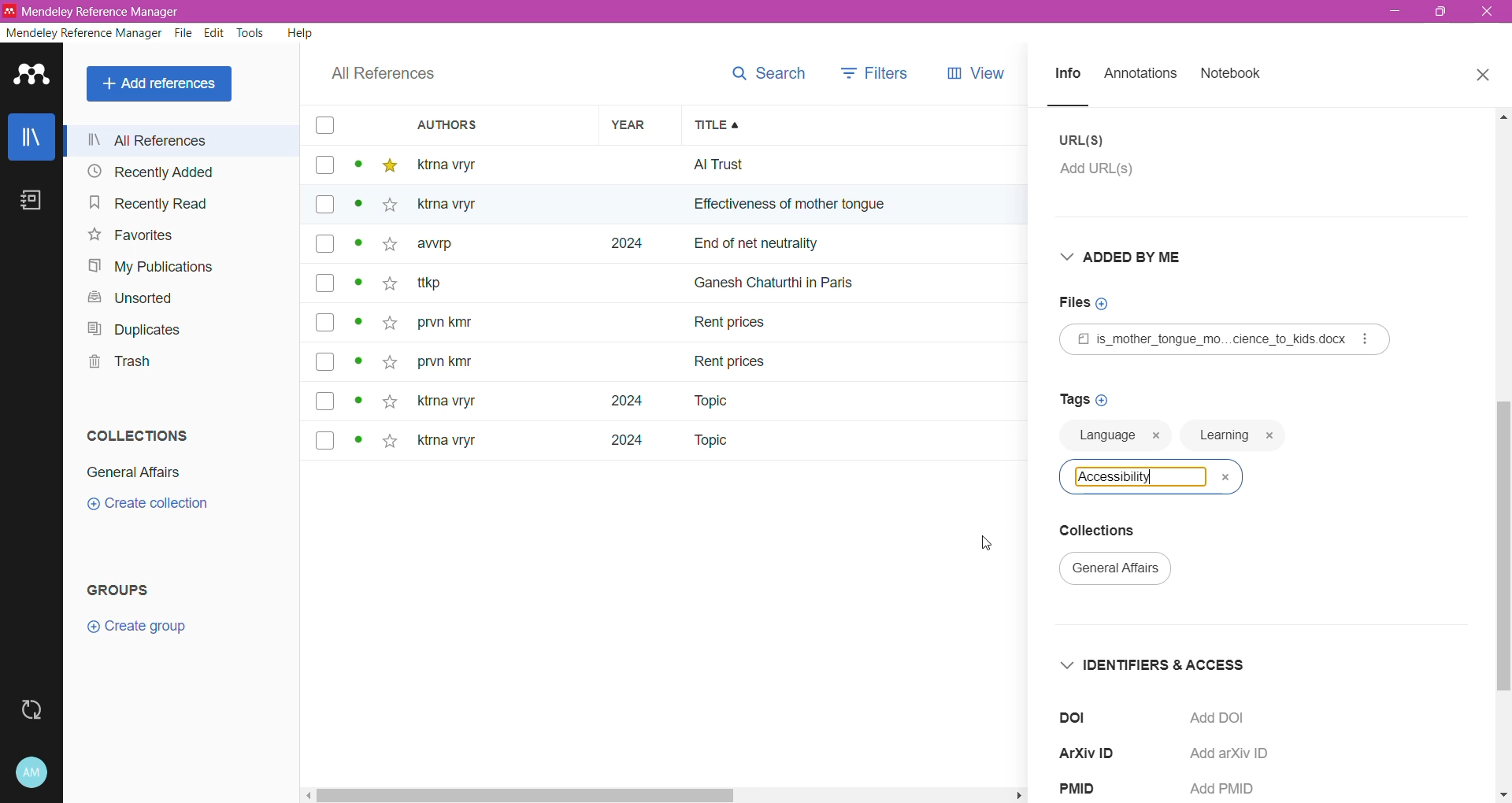 Image resolution: width=1512 pixels, height=803 pixels. What do you see at coordinates (792, 276) in the screenshot?
I see `ganesh chaturthi in paris ` at bounding box center [792, 276].